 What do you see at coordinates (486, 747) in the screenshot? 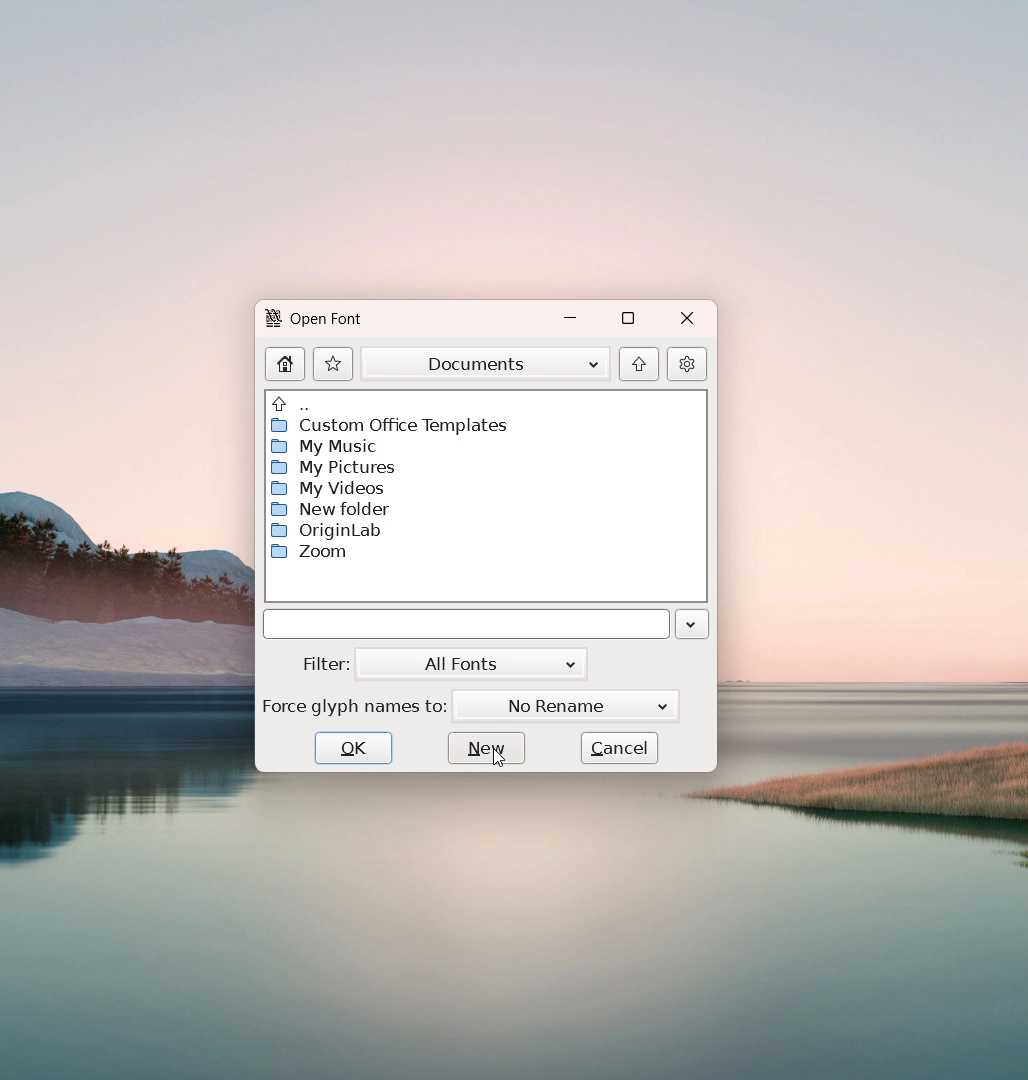
I see `new` at bounding box center [486, 747].